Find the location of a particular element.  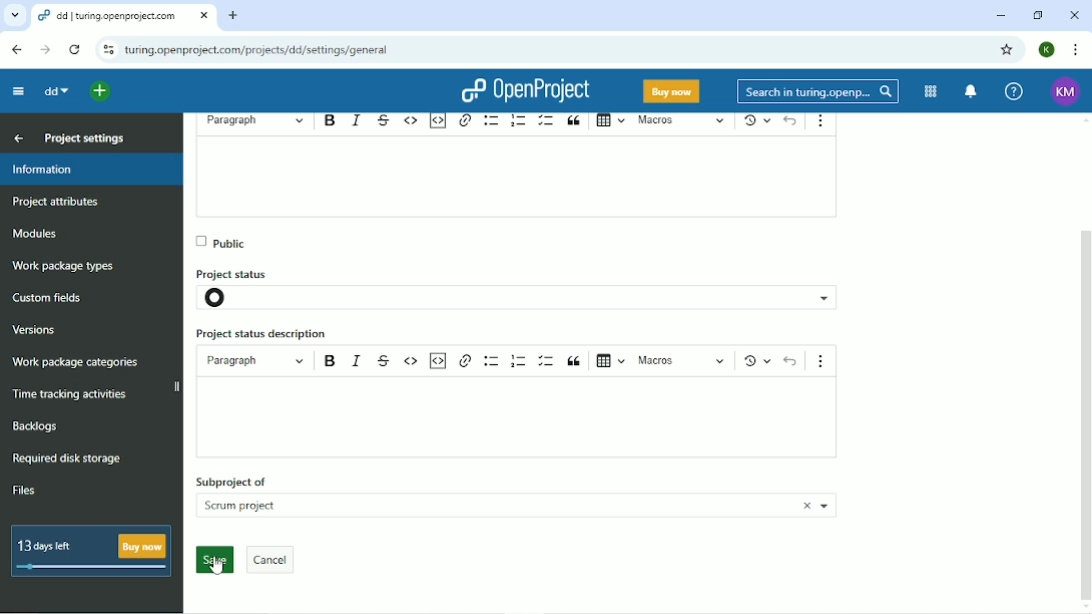

Search in turing.openprojects.com is located at coordinates (818, 92).